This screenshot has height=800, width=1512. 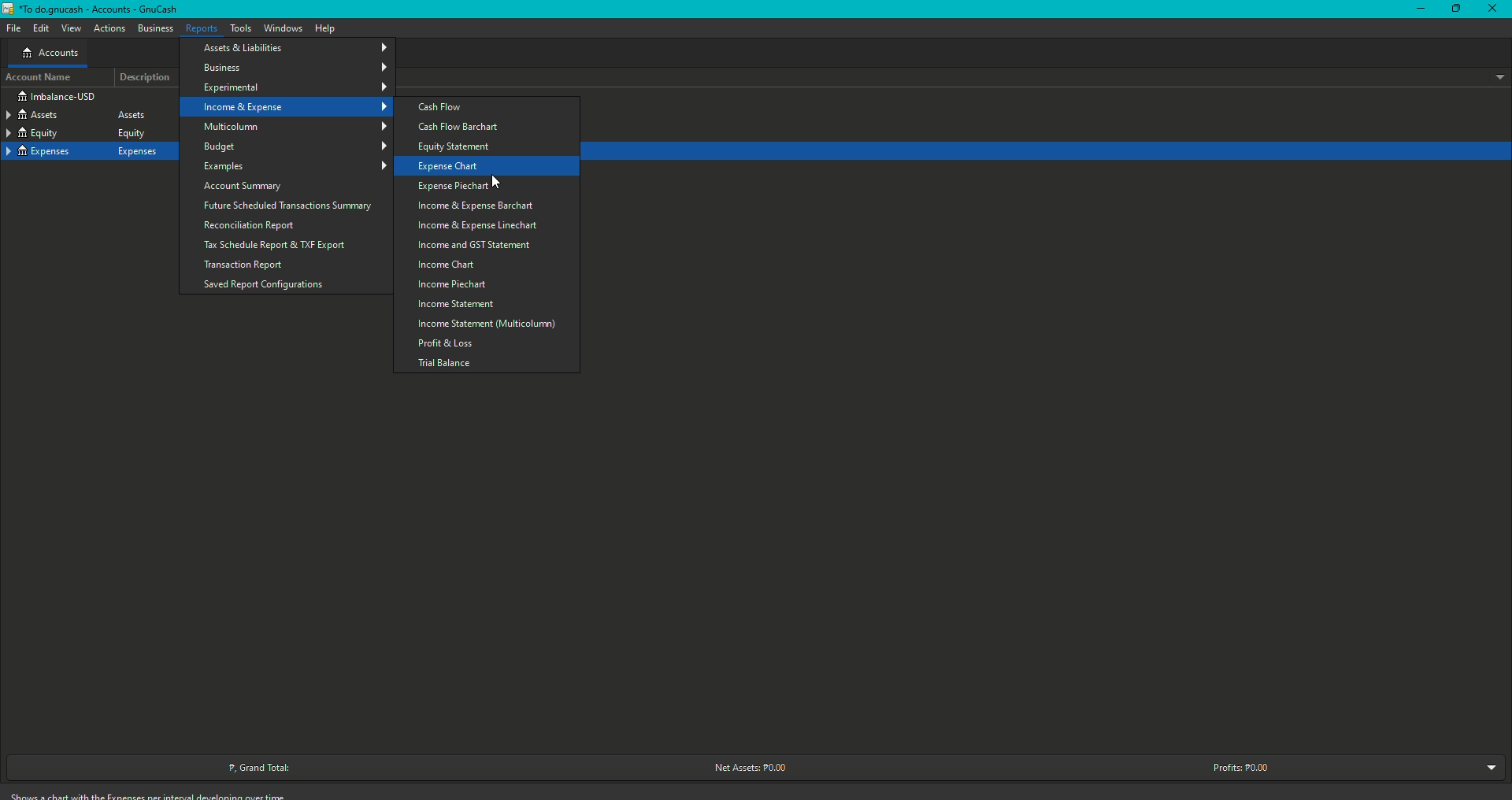 I want to click on Restore, so click(x=1452, y=10).